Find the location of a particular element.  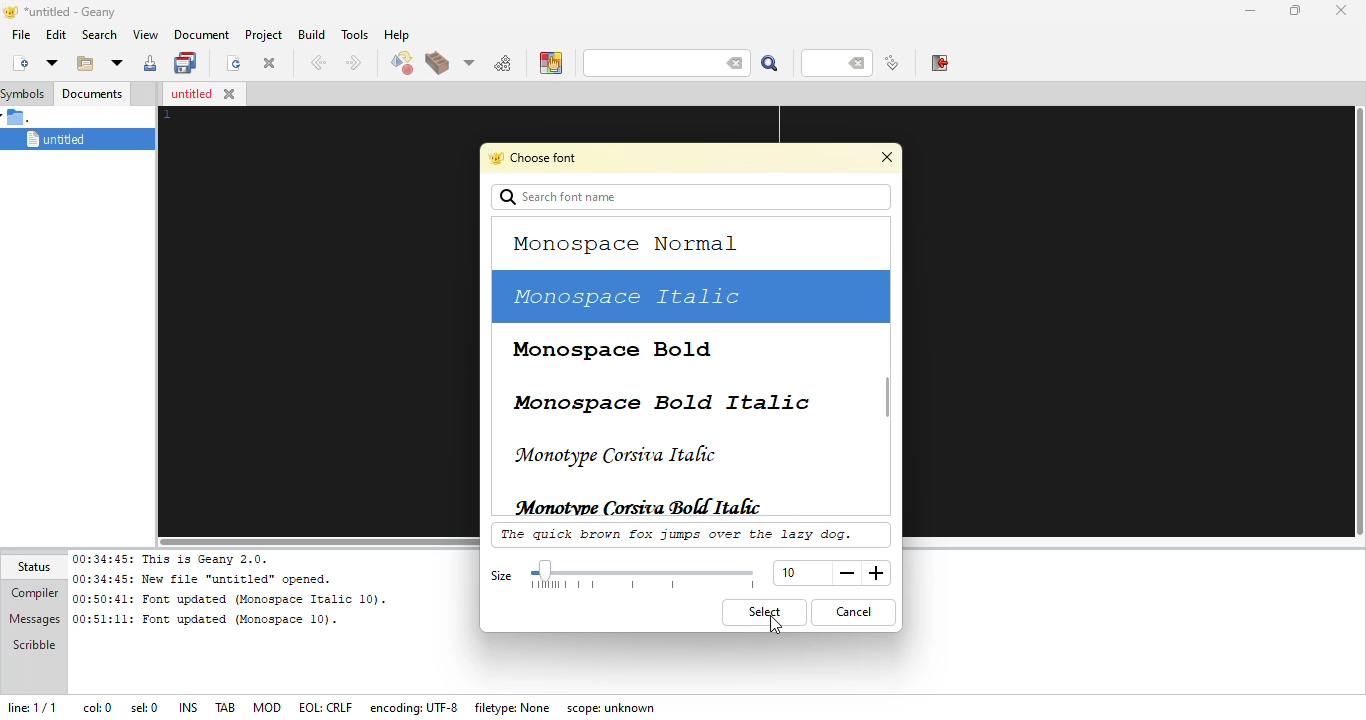

close is located at coordinates (886, 158).